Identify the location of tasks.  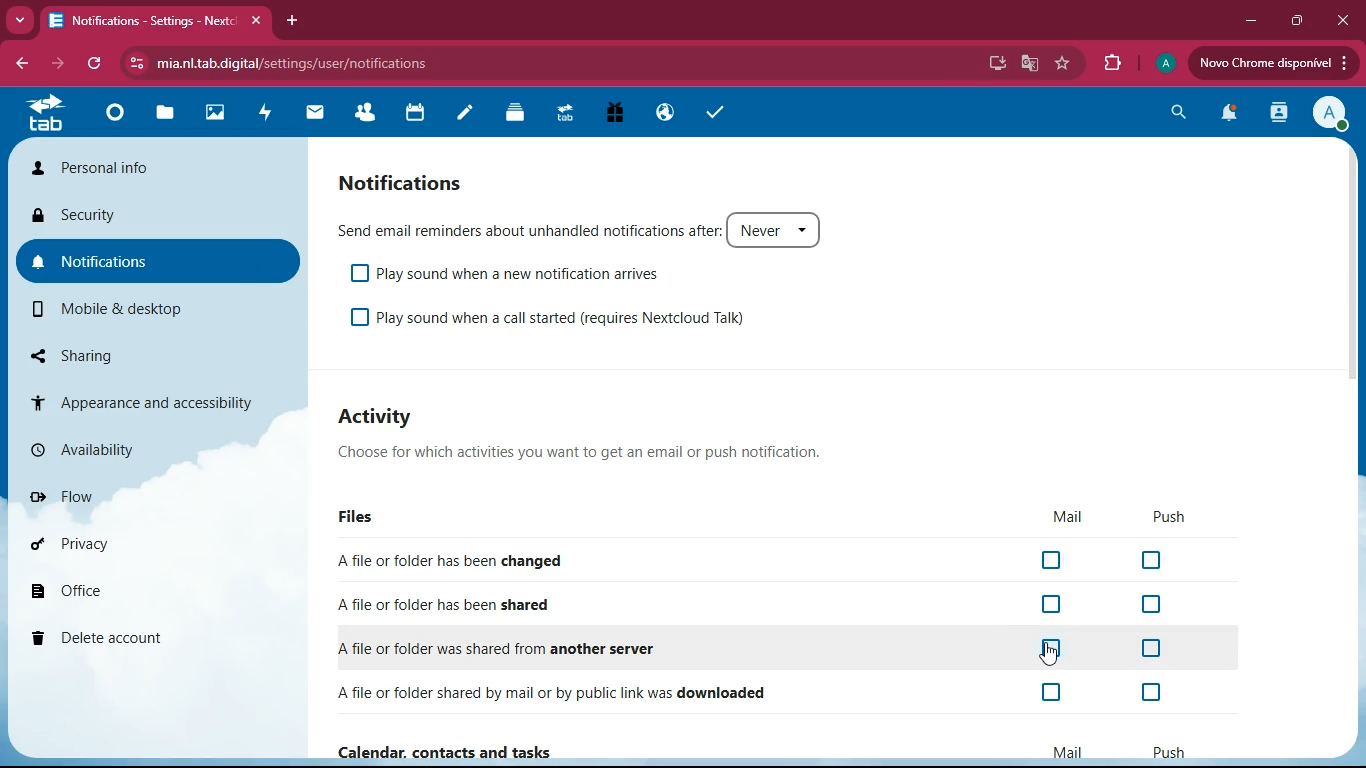
(710, 112).